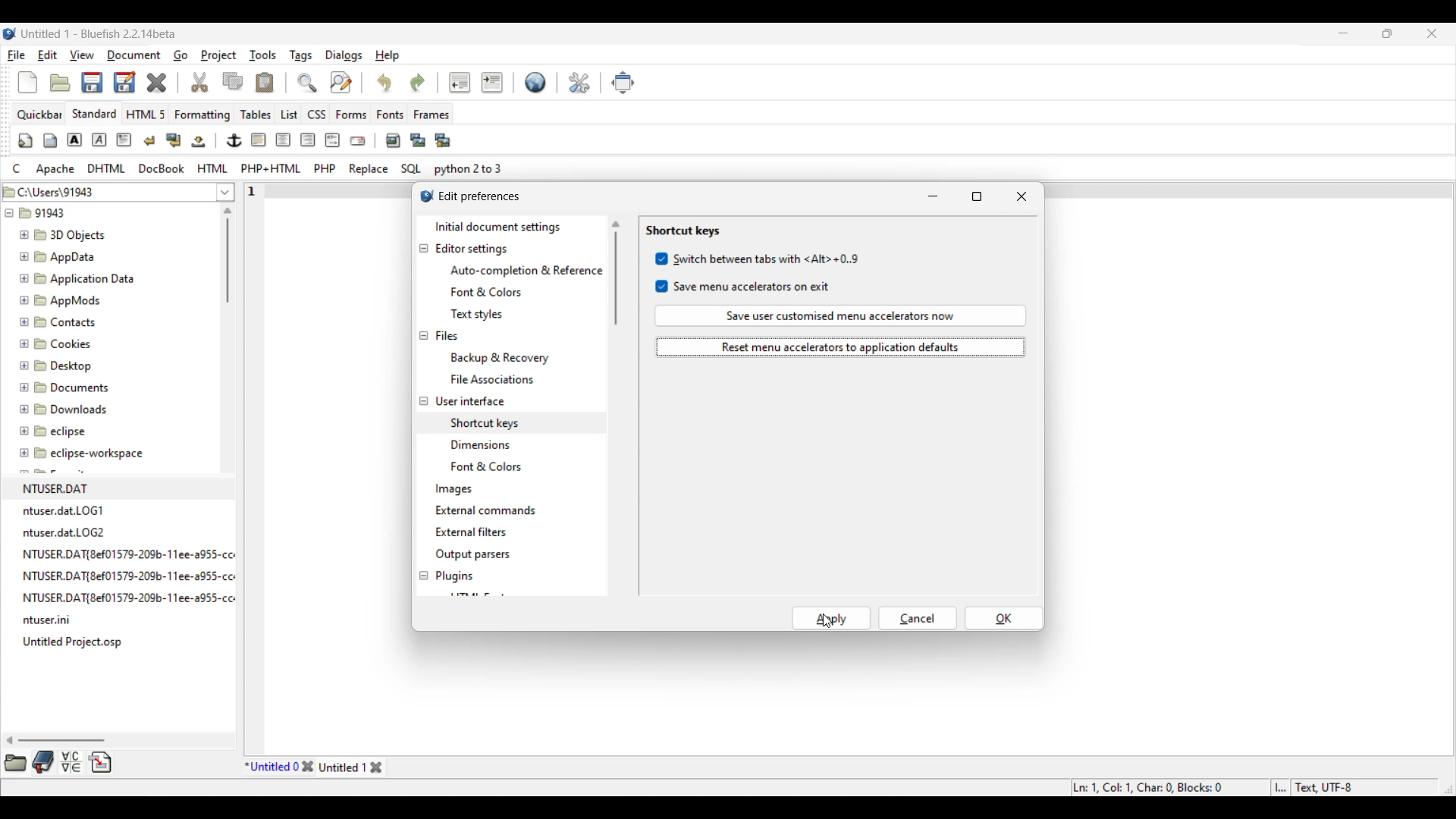  What do you see at coordinates (56, 740) in the screenshot?
I see `Horizontal slide bar` at bounding box center [56, 740].